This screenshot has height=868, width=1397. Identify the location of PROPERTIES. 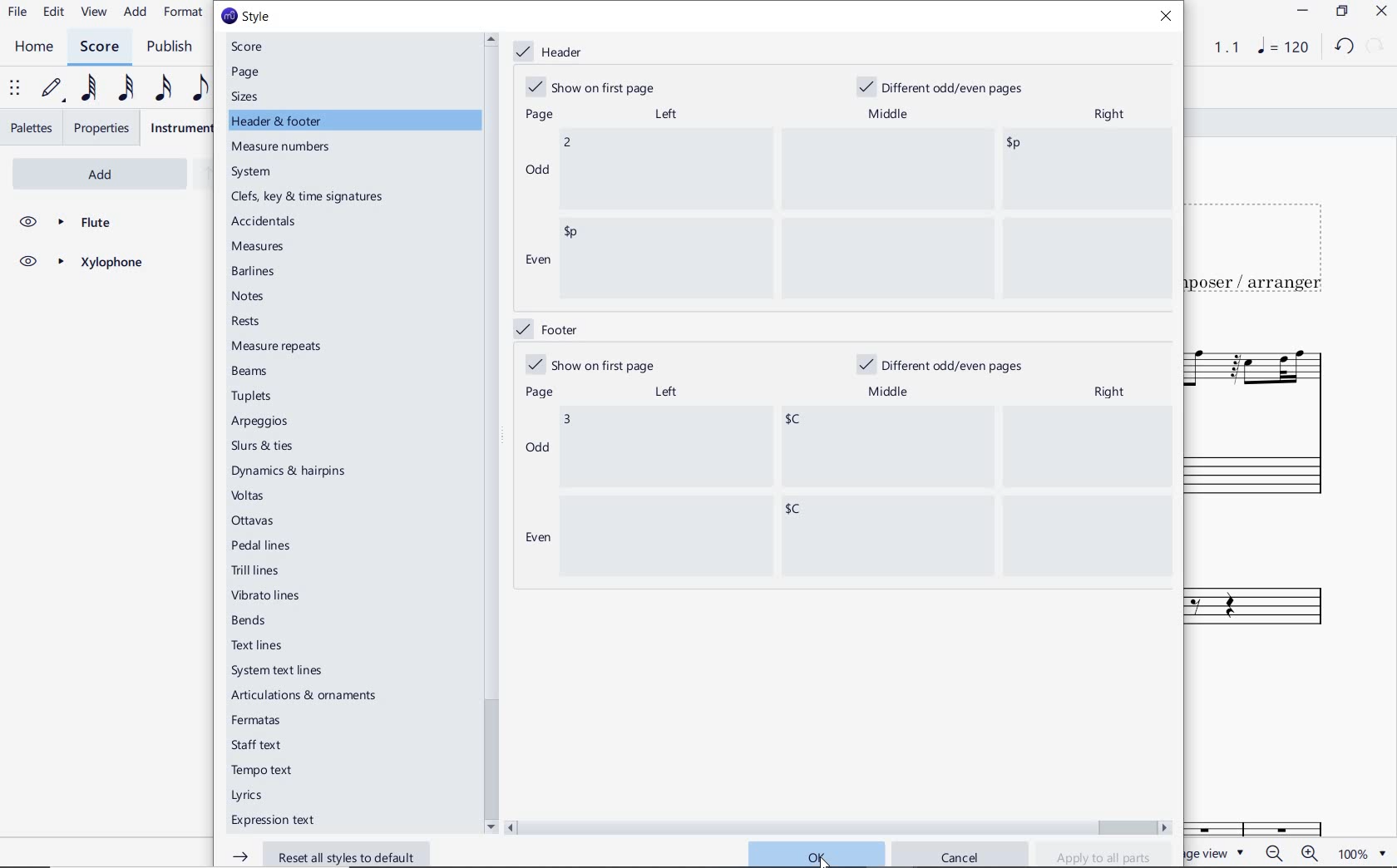
(103, 128).